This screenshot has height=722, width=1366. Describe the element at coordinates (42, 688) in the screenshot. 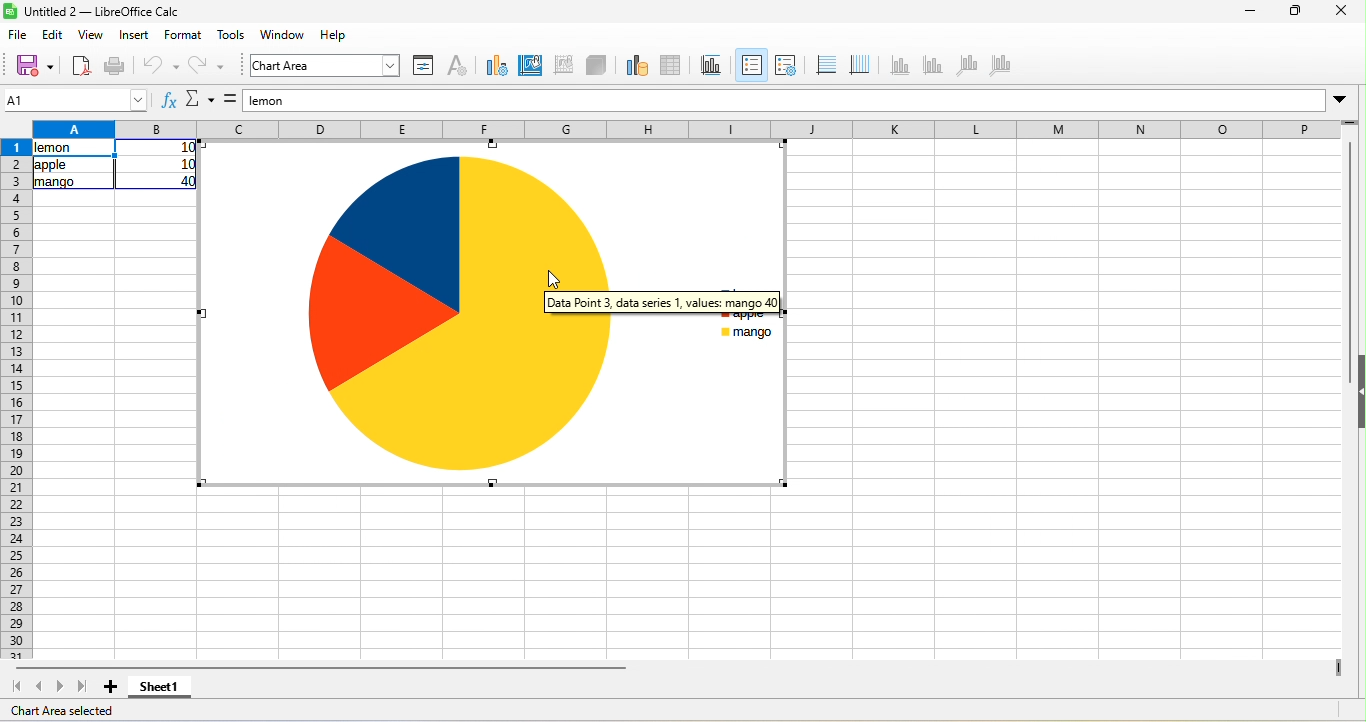

I see `scroll to previous sheet` at that location.